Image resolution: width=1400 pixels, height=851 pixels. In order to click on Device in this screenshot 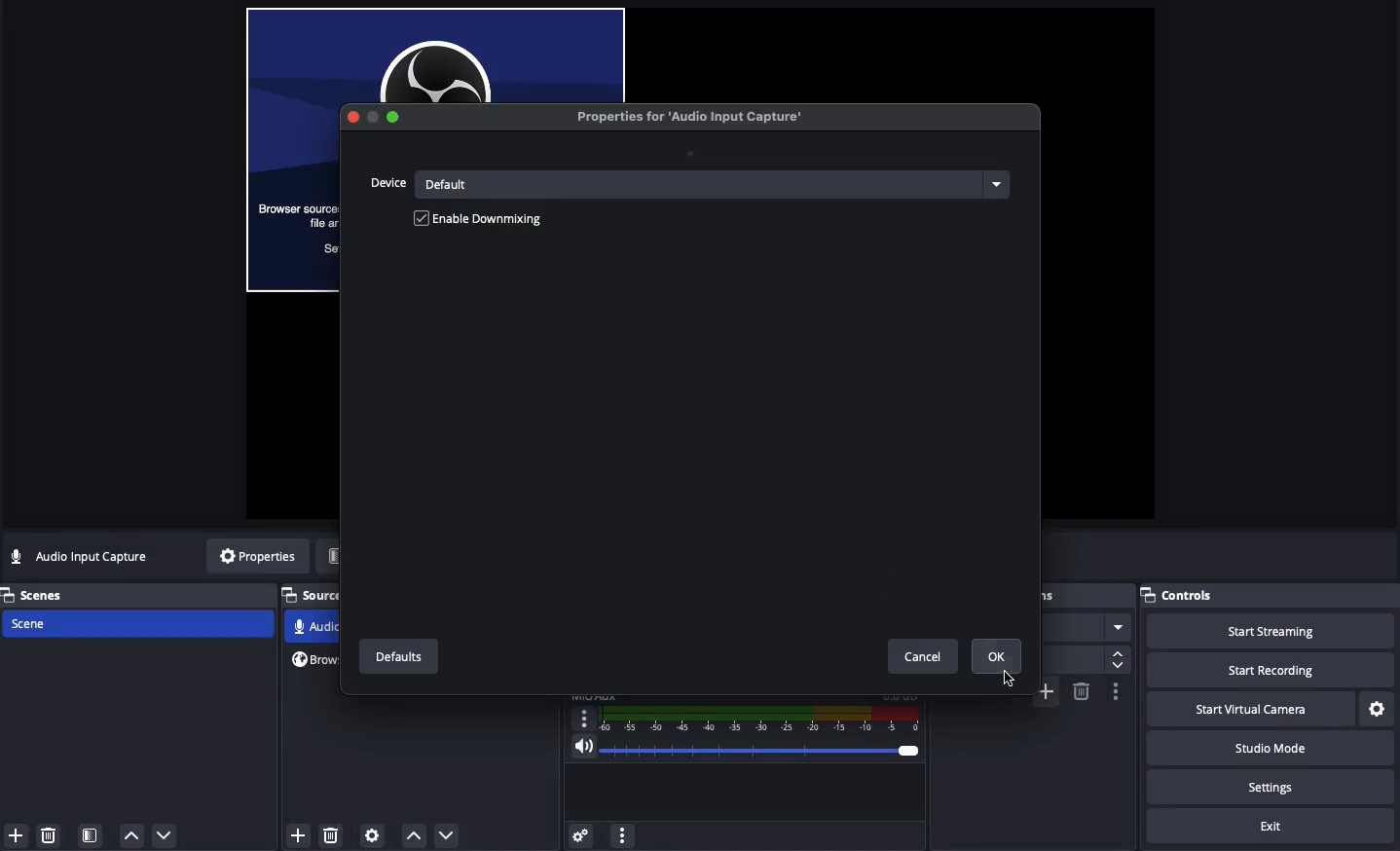, I will do `click(389, 183)`.